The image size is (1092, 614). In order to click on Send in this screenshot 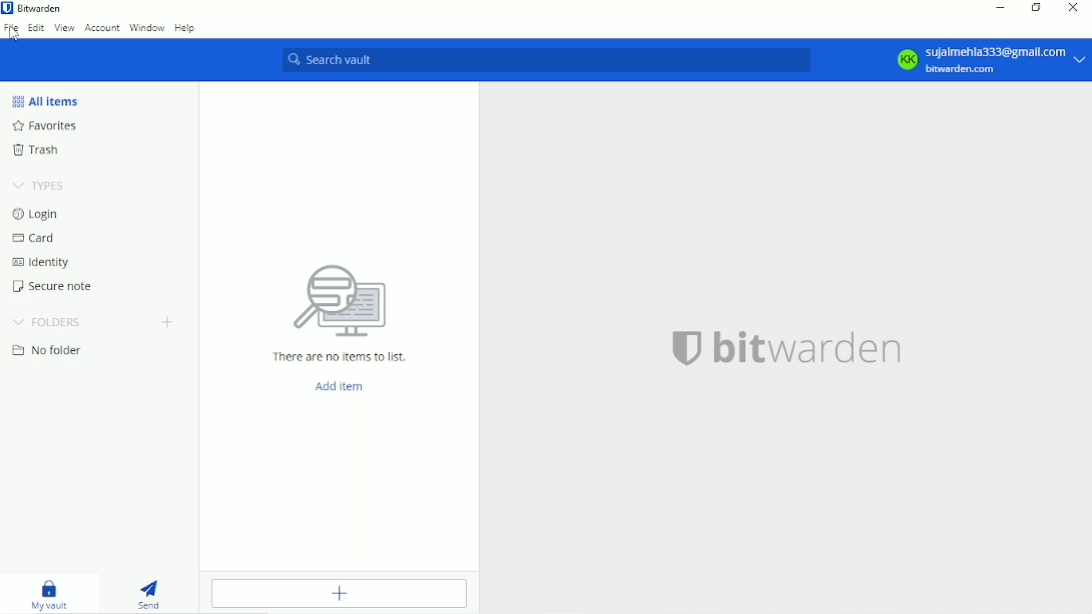, I will do `click(149, 594)`.